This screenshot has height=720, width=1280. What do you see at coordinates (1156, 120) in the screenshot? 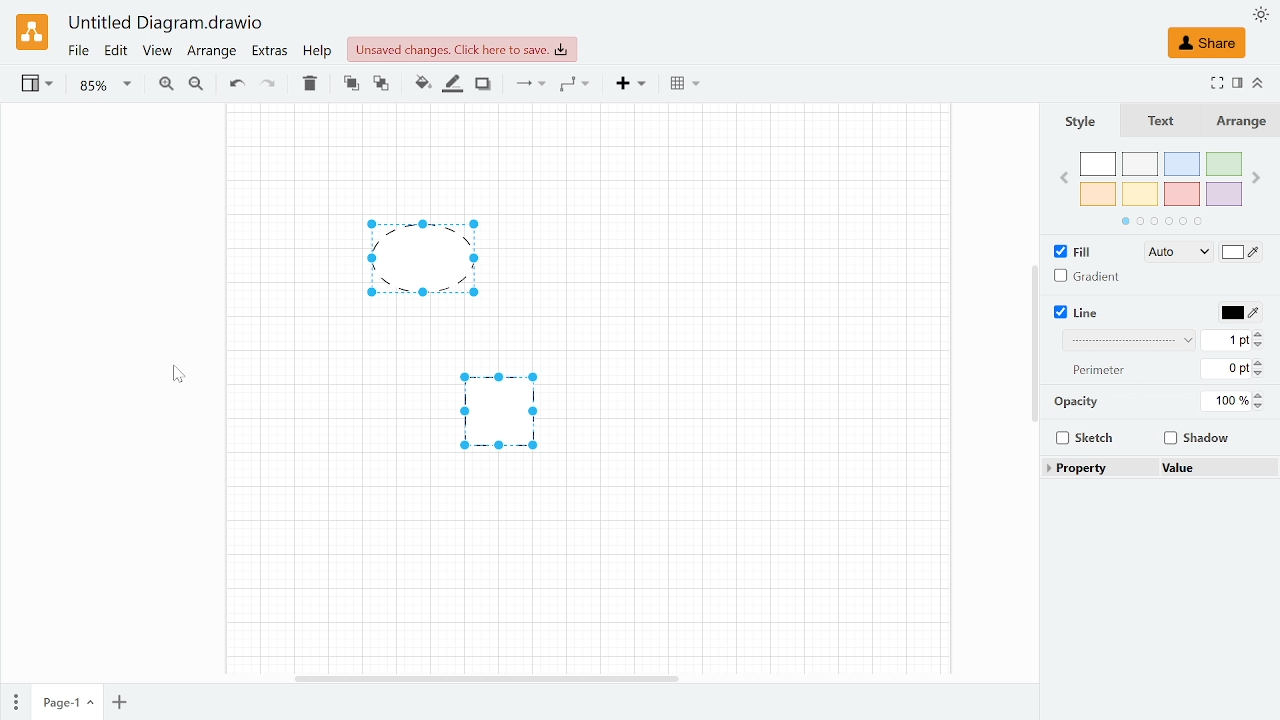
I see `text` at bounding box center [1156, 120].